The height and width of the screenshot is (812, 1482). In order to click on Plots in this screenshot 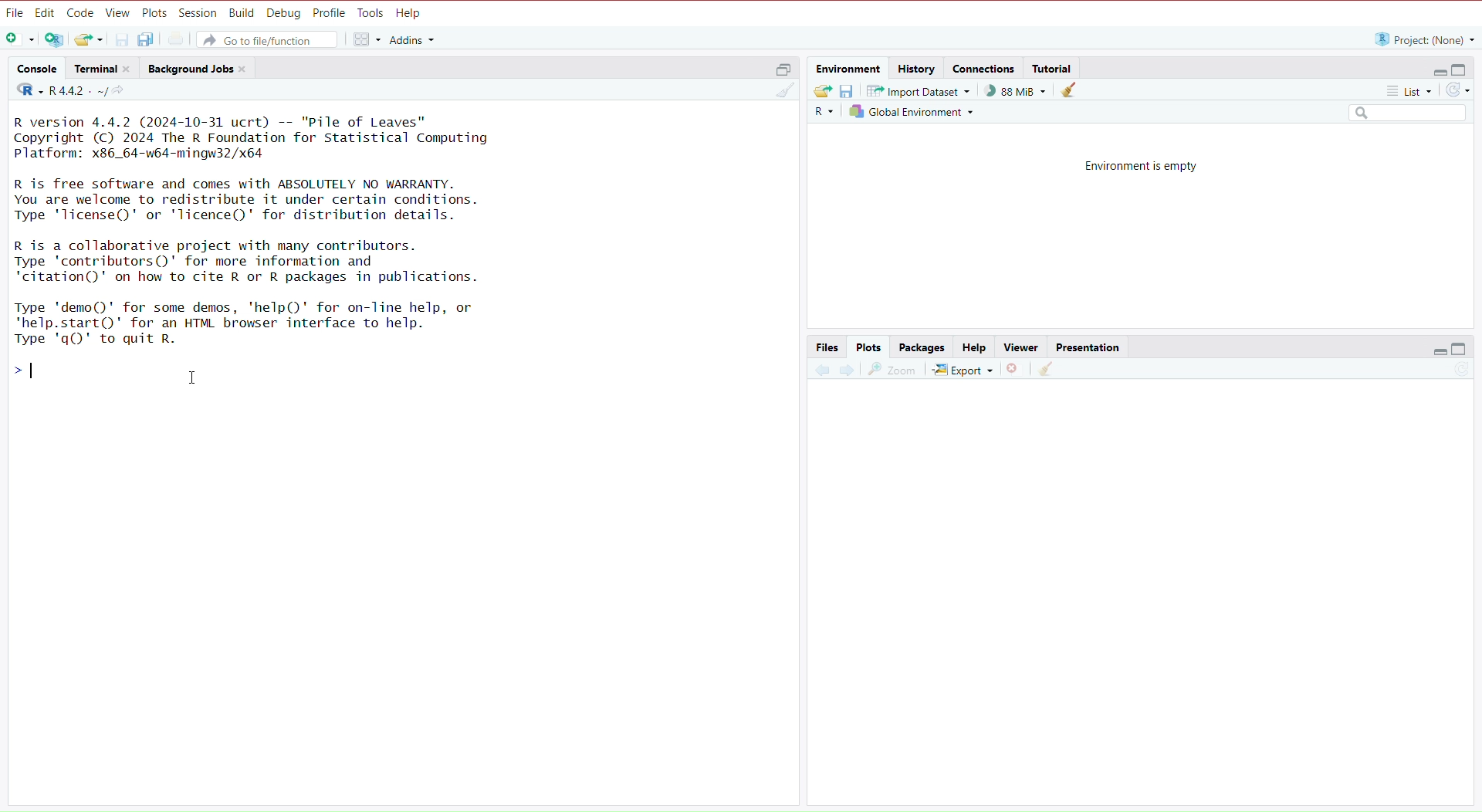, I will do `click(155, 12)`.